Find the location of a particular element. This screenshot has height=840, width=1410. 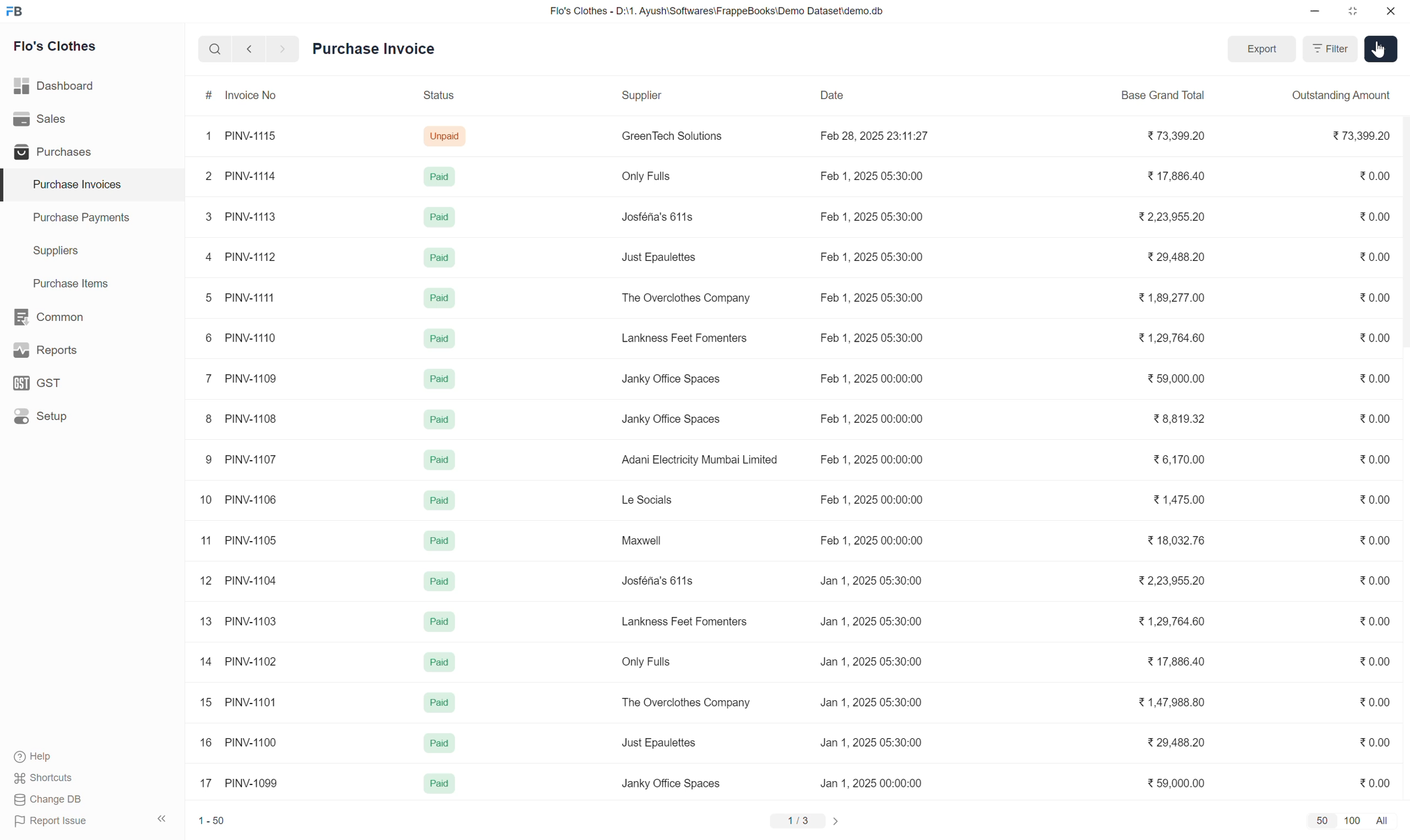

GST is located at coordinates (42, 383).